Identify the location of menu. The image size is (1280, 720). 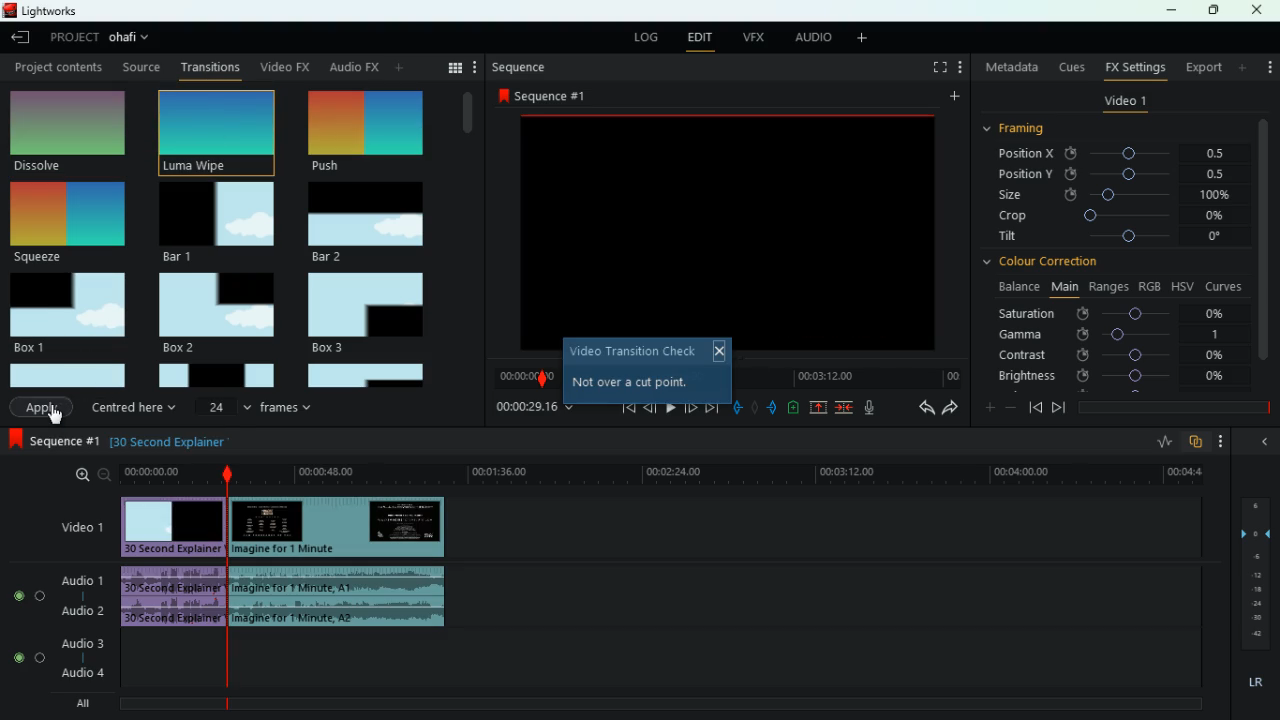
(455, 67).